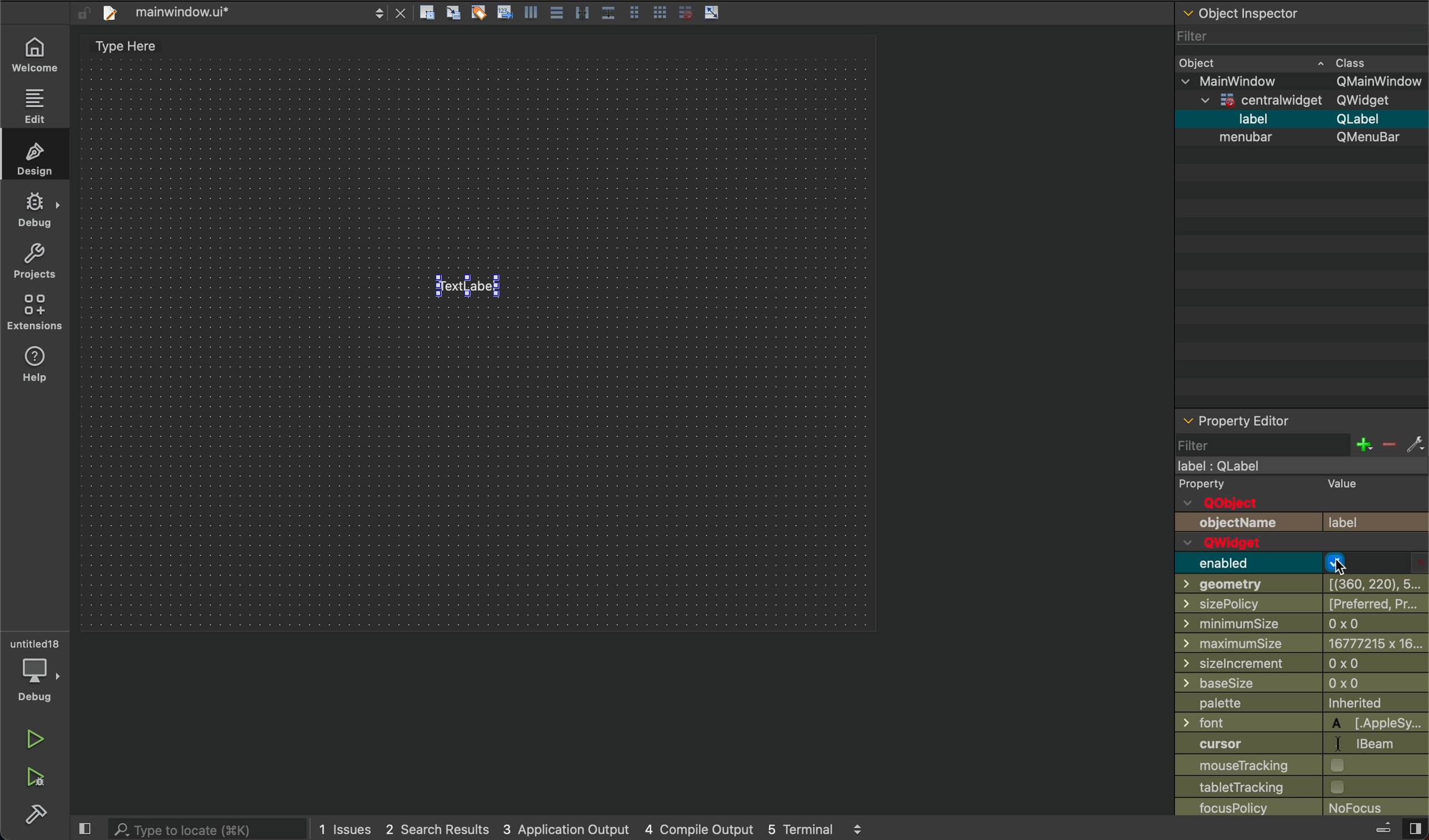 The height and width of the screenshot is (840, 1429). Describe the element at coordinates (1368, 140) in the screenshot. I see `Qmenubar` at that location.